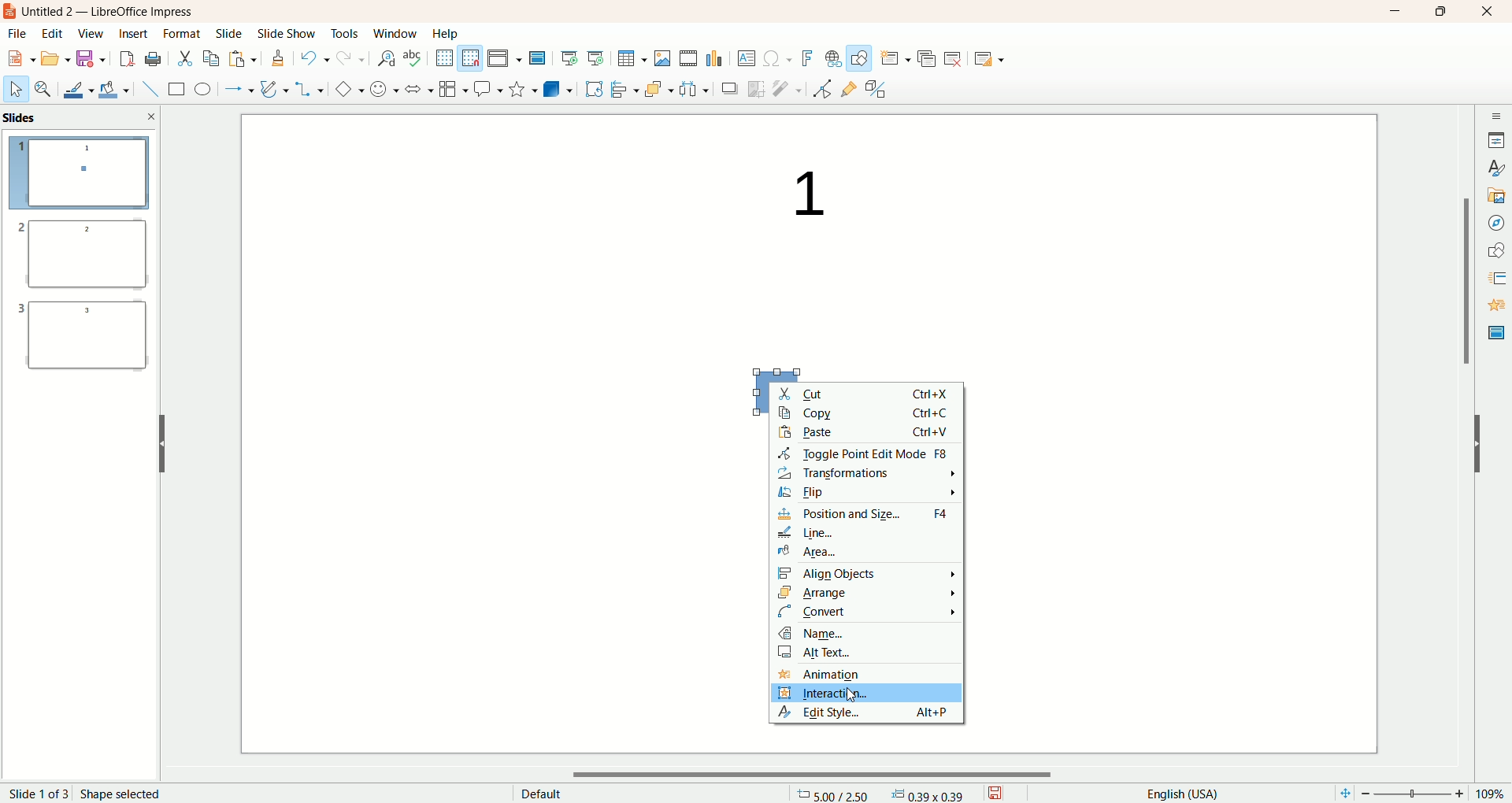 The width and height of the screenshot is (1512, 803). I want to click on animation, so click(1495, 305).